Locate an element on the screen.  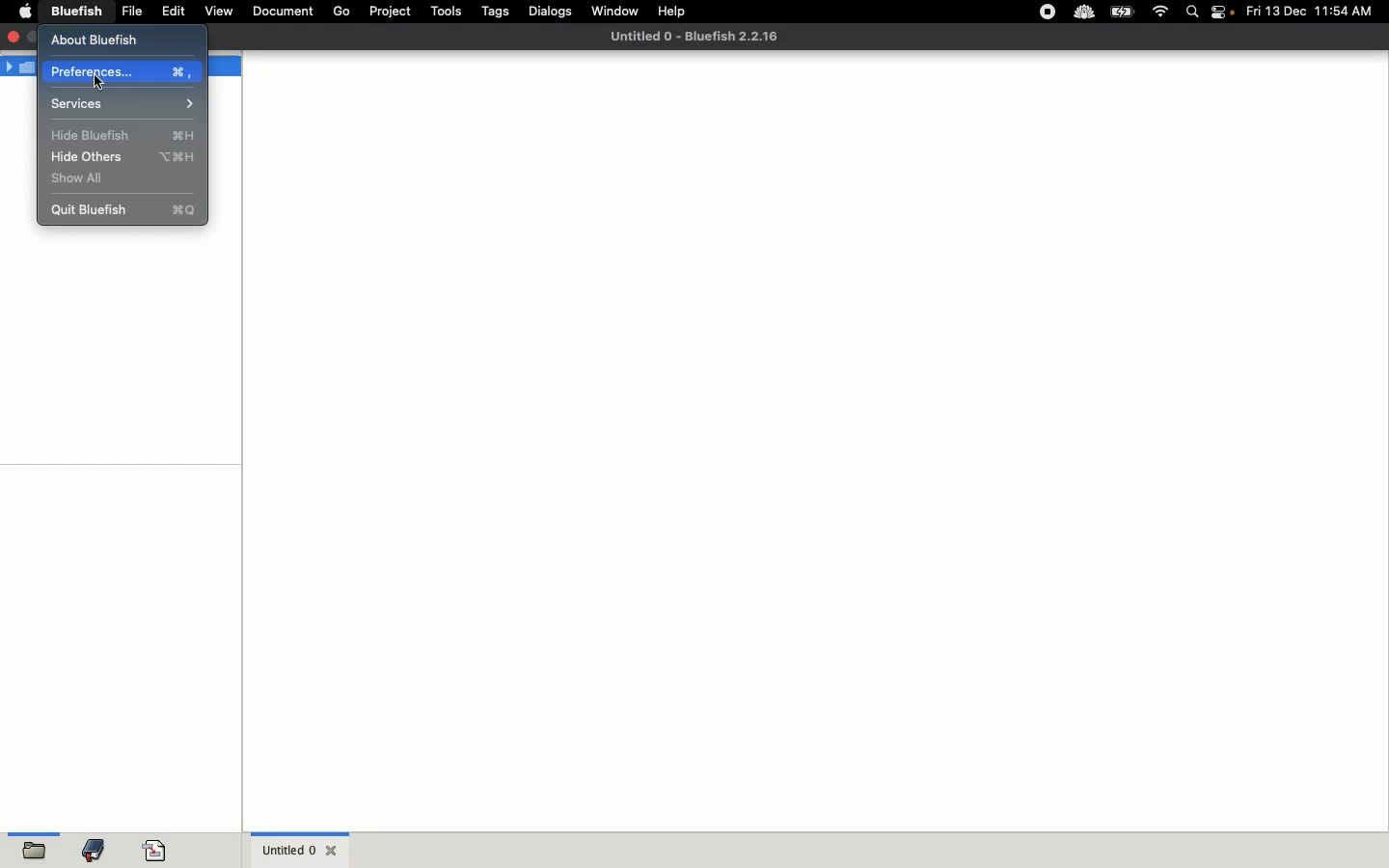
Date time is located at coordinates (1316, 11).